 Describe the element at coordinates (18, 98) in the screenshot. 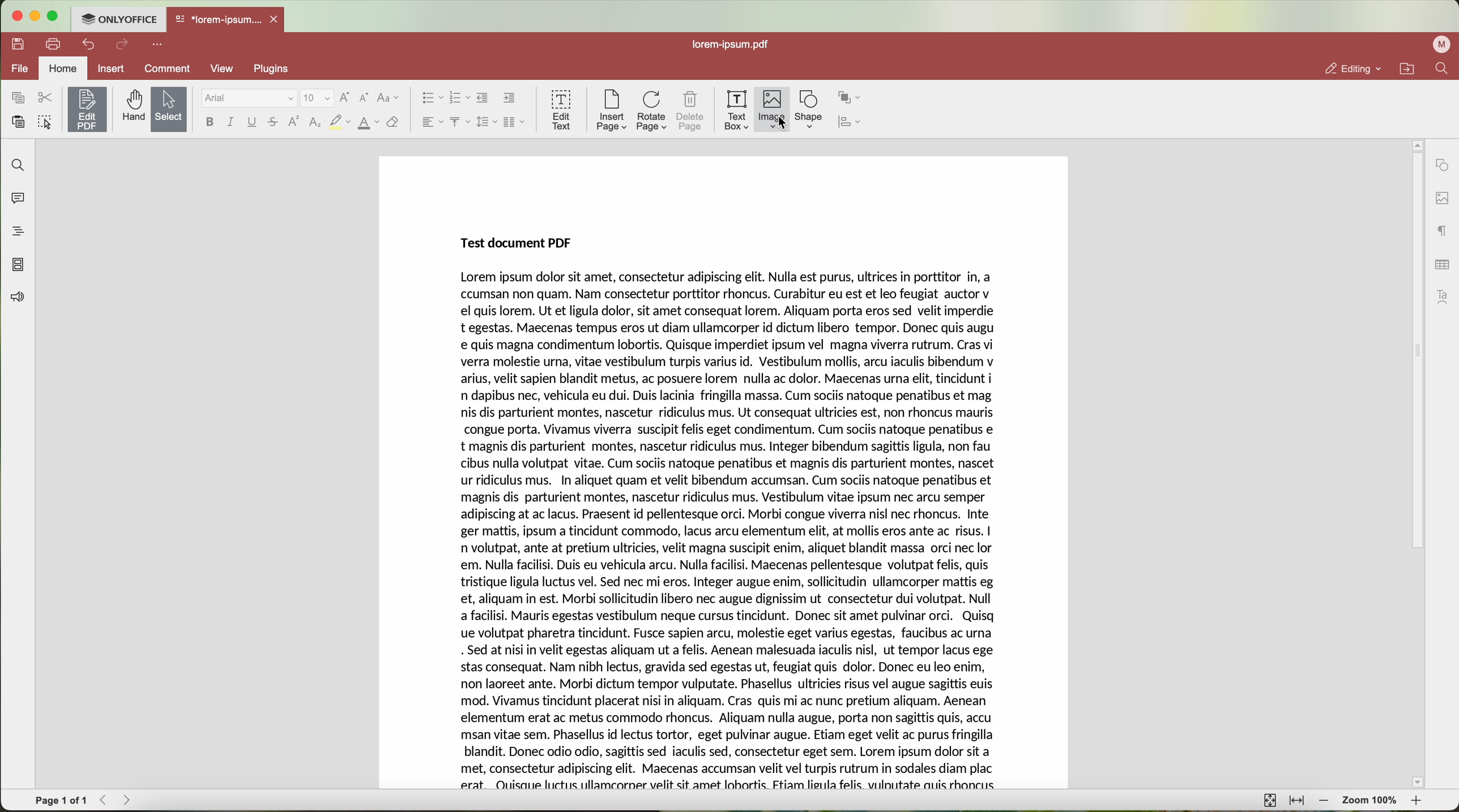

I see `copy` at that location.